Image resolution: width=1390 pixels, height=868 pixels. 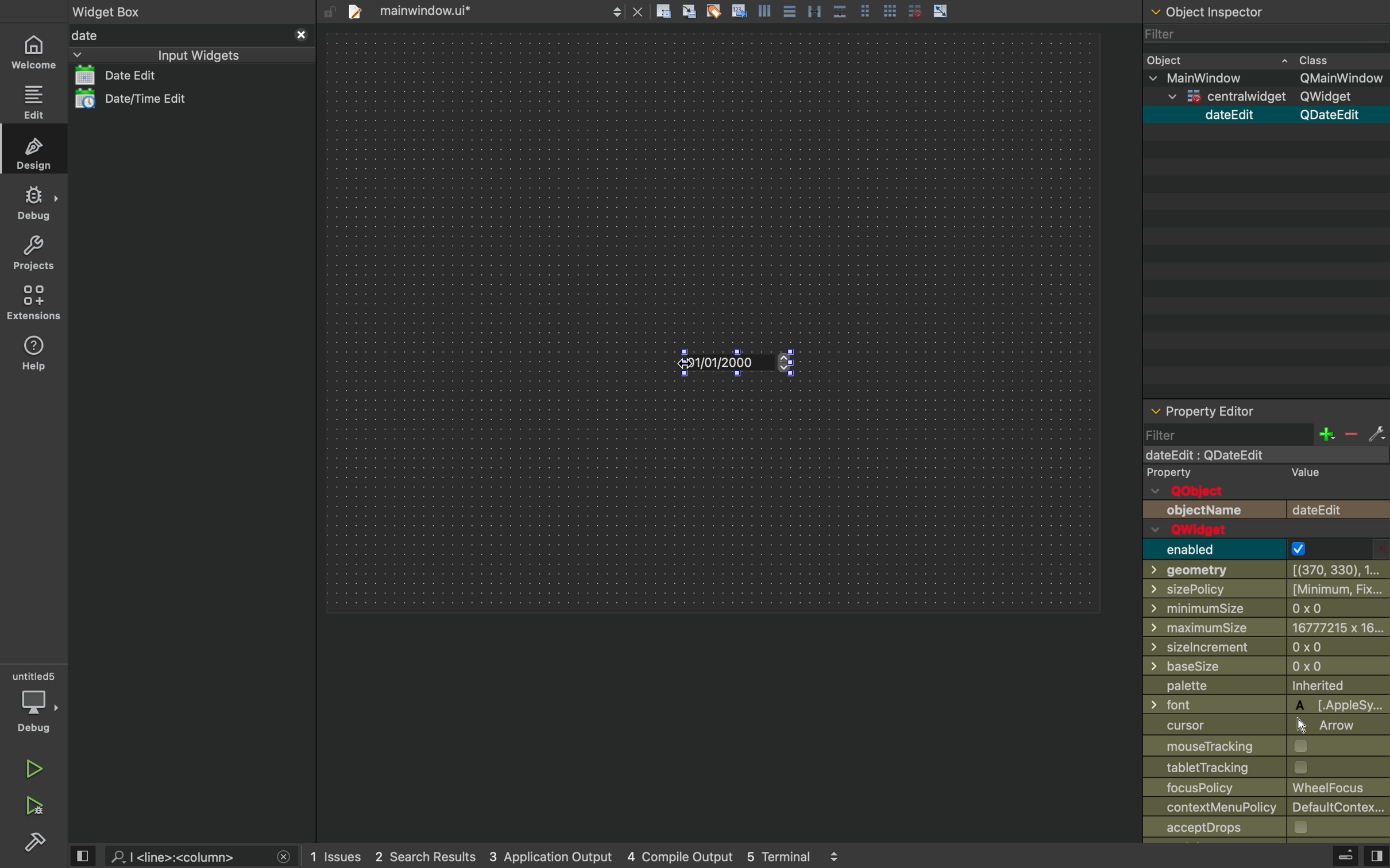 What do you see at coordinates (1268, 549) in the screenshot?
I see `enabled` at bounding box center [1268, 549].